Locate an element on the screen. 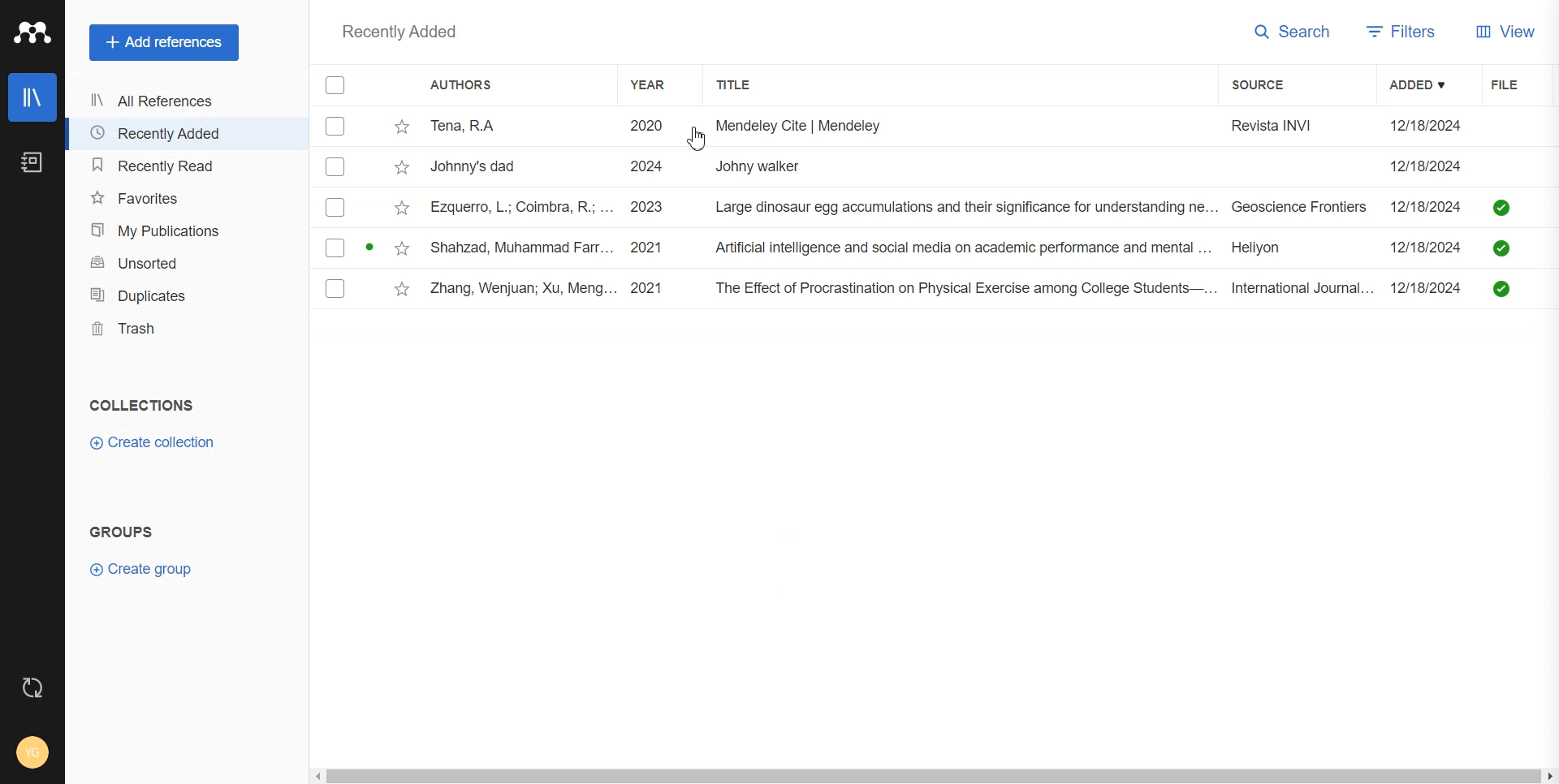  Shahzad, Muhammad Farr... 2021 Artificial intelligence and social media on academic performance and mental ...  Heliyon is located at coordinates (900, 247).